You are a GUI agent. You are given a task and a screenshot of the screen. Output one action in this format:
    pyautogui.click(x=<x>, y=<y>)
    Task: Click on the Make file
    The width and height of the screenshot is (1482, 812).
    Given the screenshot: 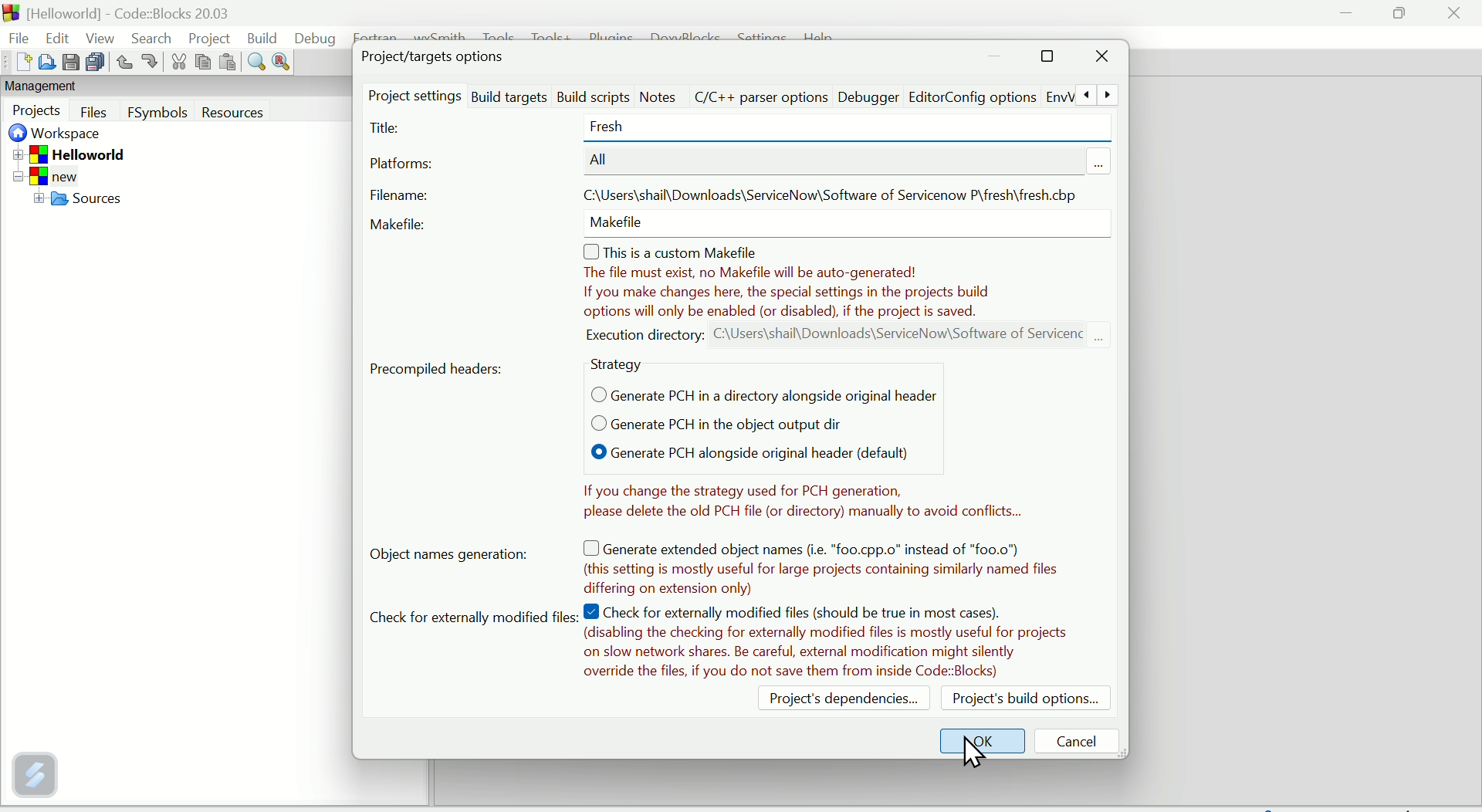 What is the action you would take?
    pyautogui.click(x=401, y=225)
    